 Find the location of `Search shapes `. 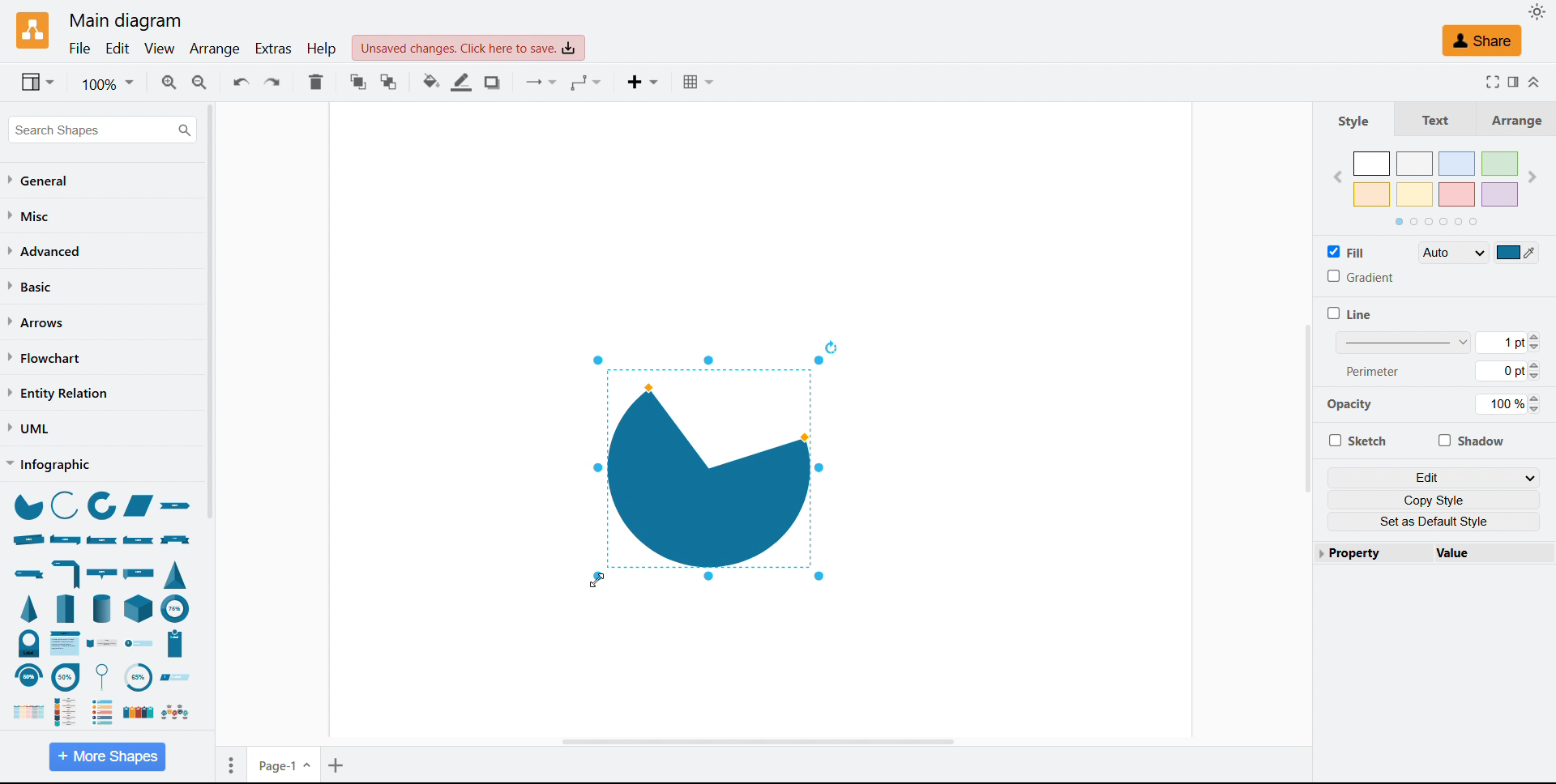

Search shapes  is located at coordinates (102, 130).